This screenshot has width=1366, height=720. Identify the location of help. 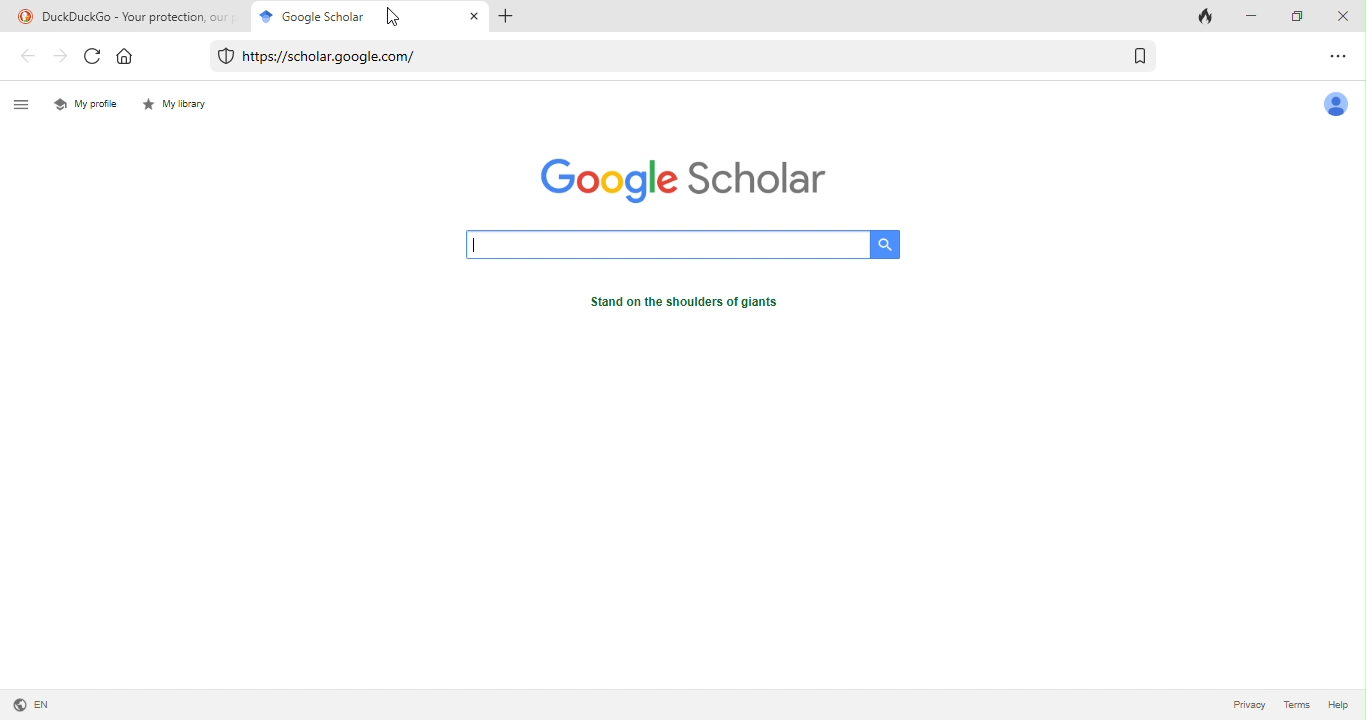
(1337, 706).